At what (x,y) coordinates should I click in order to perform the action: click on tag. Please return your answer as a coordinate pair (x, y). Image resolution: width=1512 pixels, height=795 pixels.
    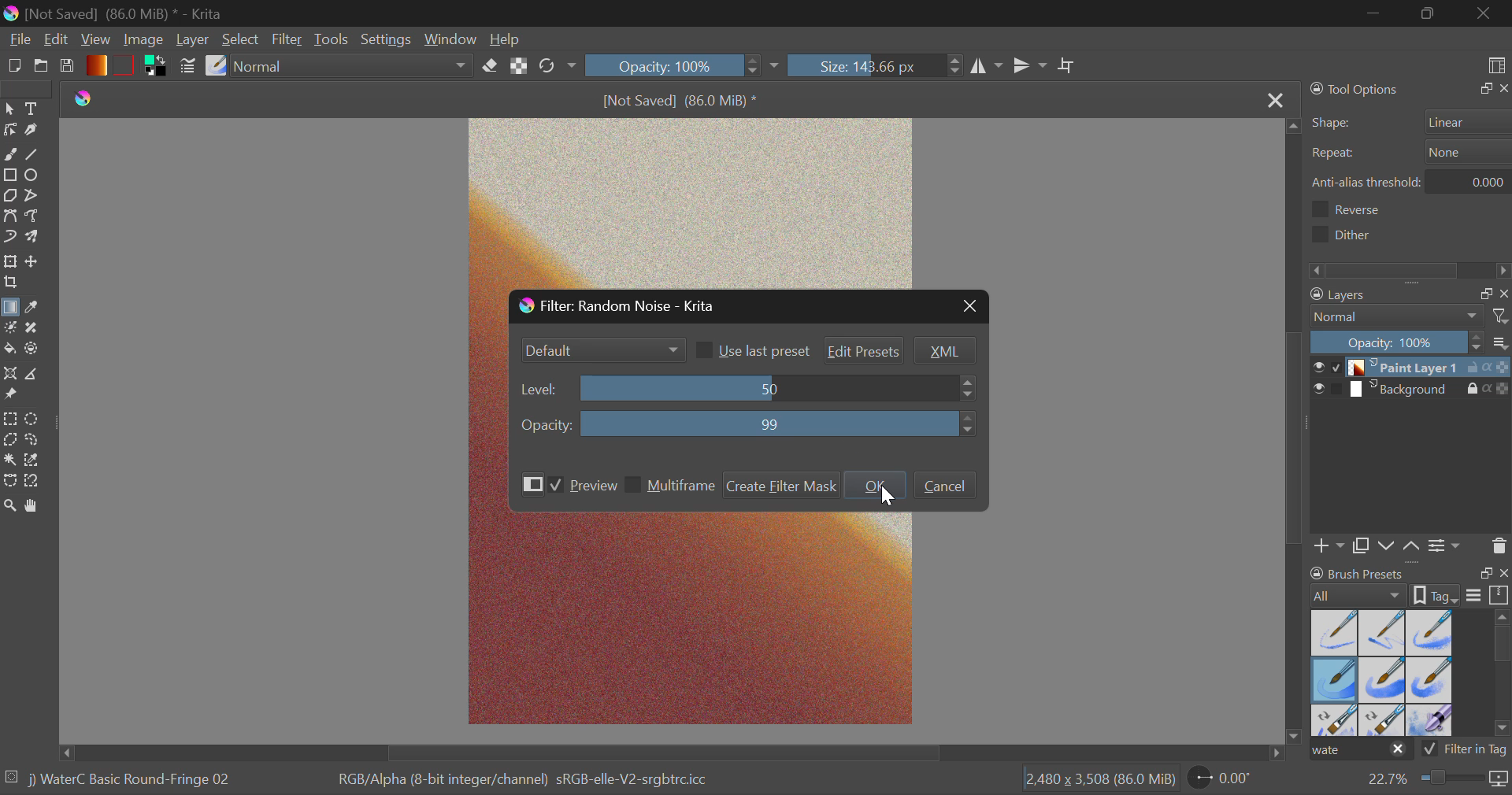
    Looking at the image, I should click on (1438, 594).